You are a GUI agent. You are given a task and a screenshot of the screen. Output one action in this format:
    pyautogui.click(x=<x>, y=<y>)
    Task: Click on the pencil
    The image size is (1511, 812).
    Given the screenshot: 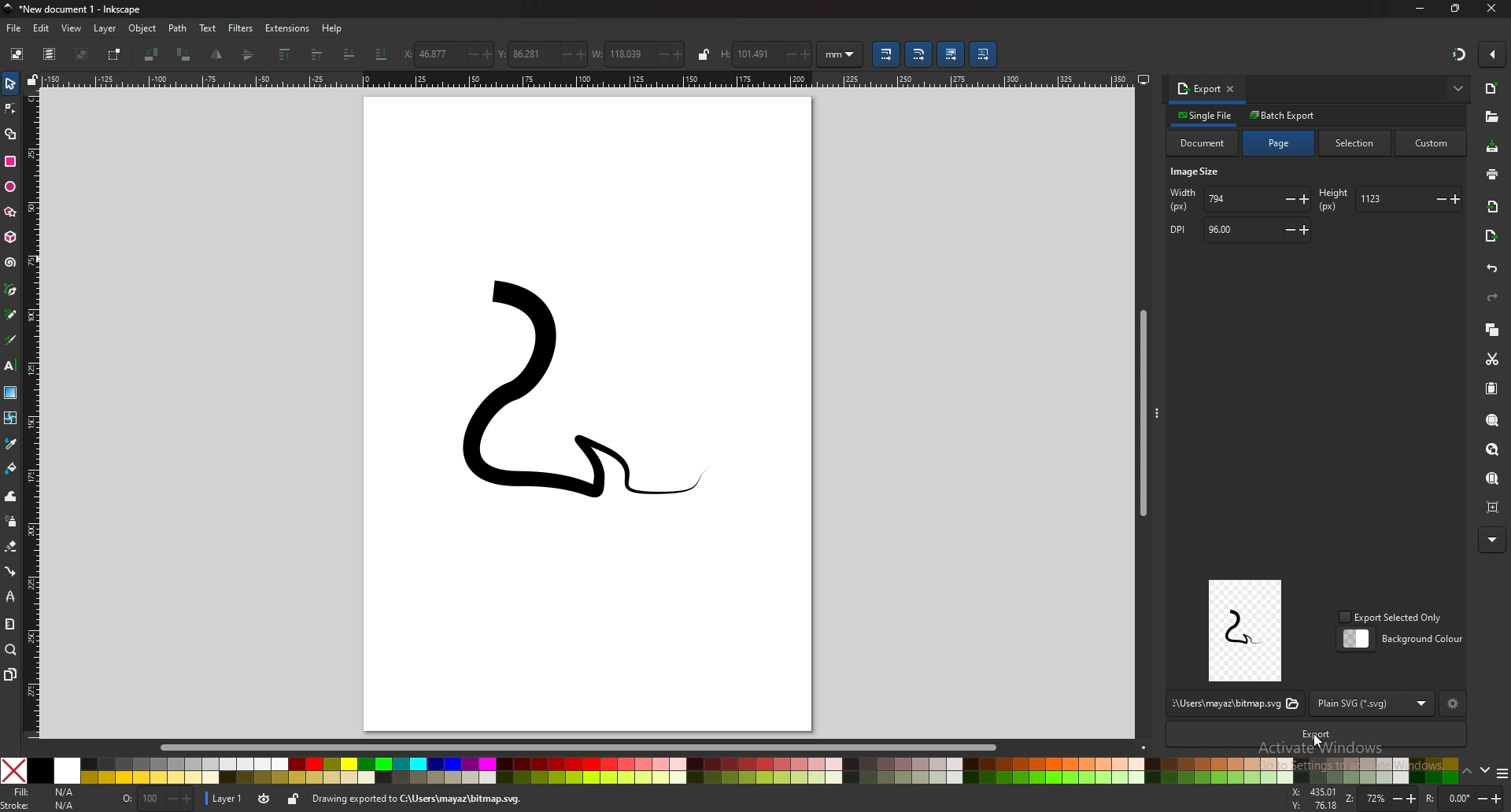 What is the action you would take?
    pyautogui.click(x=12, y=314)
    